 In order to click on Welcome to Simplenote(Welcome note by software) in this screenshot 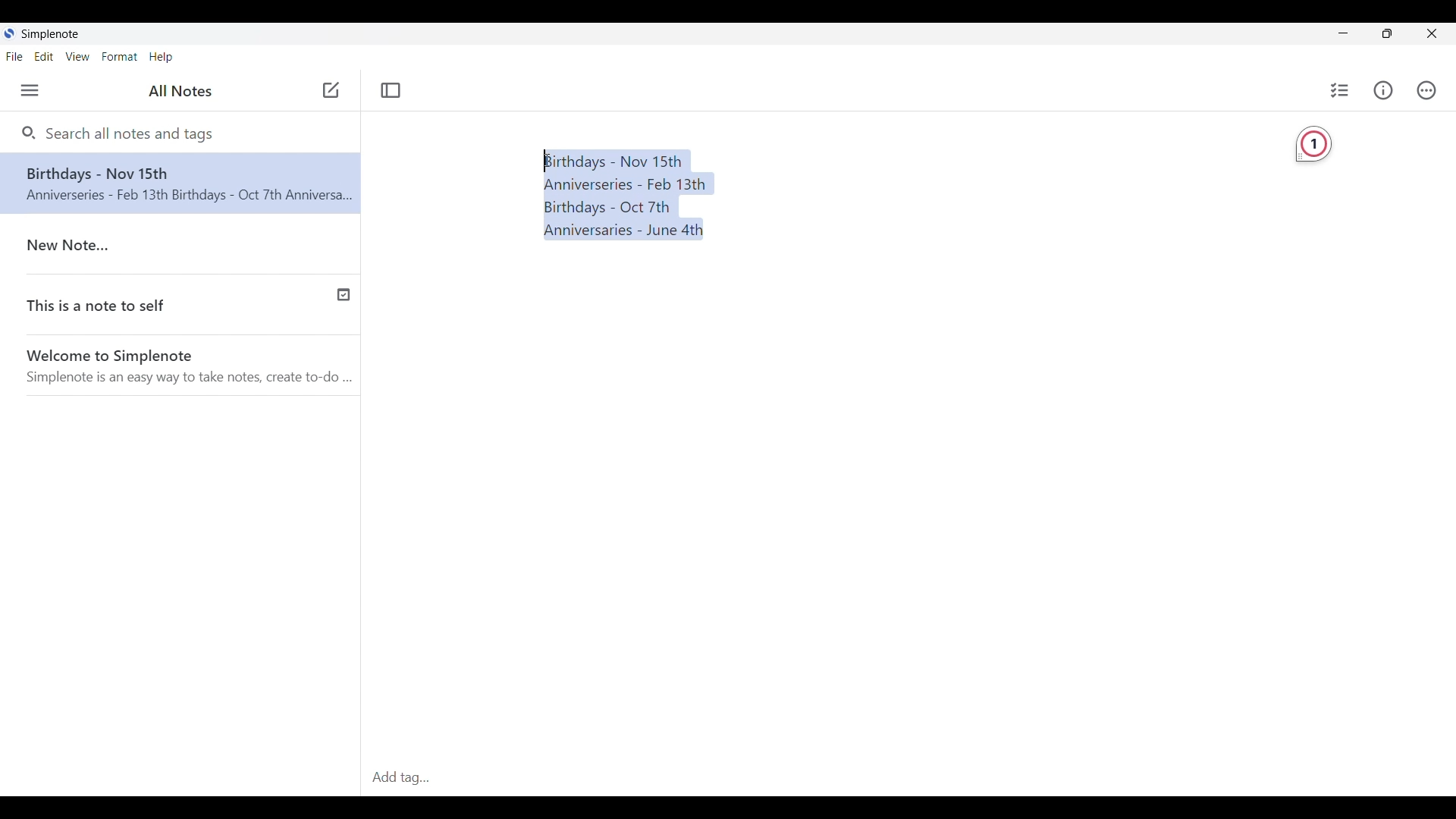, I will do `click(190, 367)`.